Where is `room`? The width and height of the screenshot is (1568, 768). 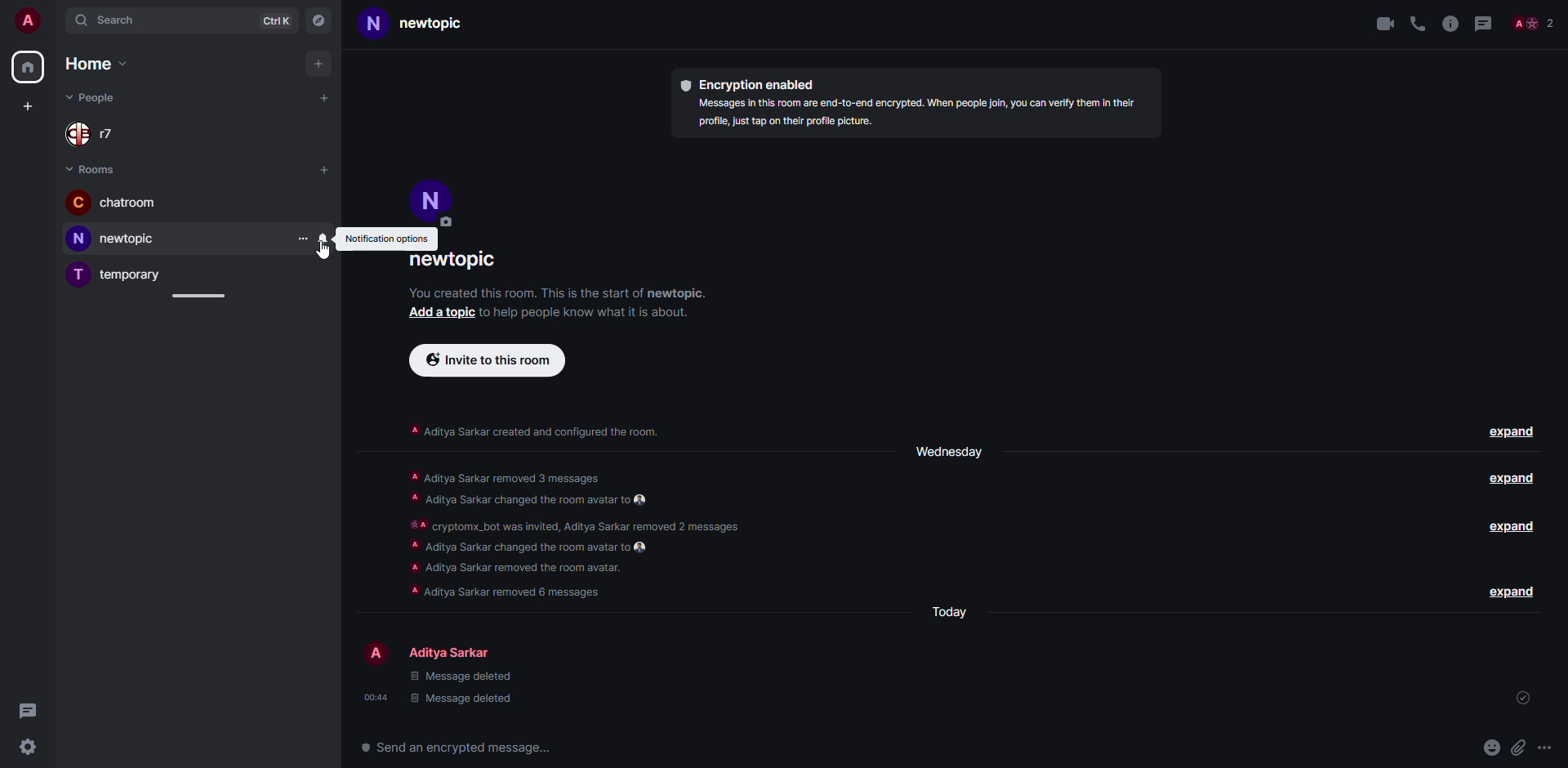
room is located at coordinates (461, 265).